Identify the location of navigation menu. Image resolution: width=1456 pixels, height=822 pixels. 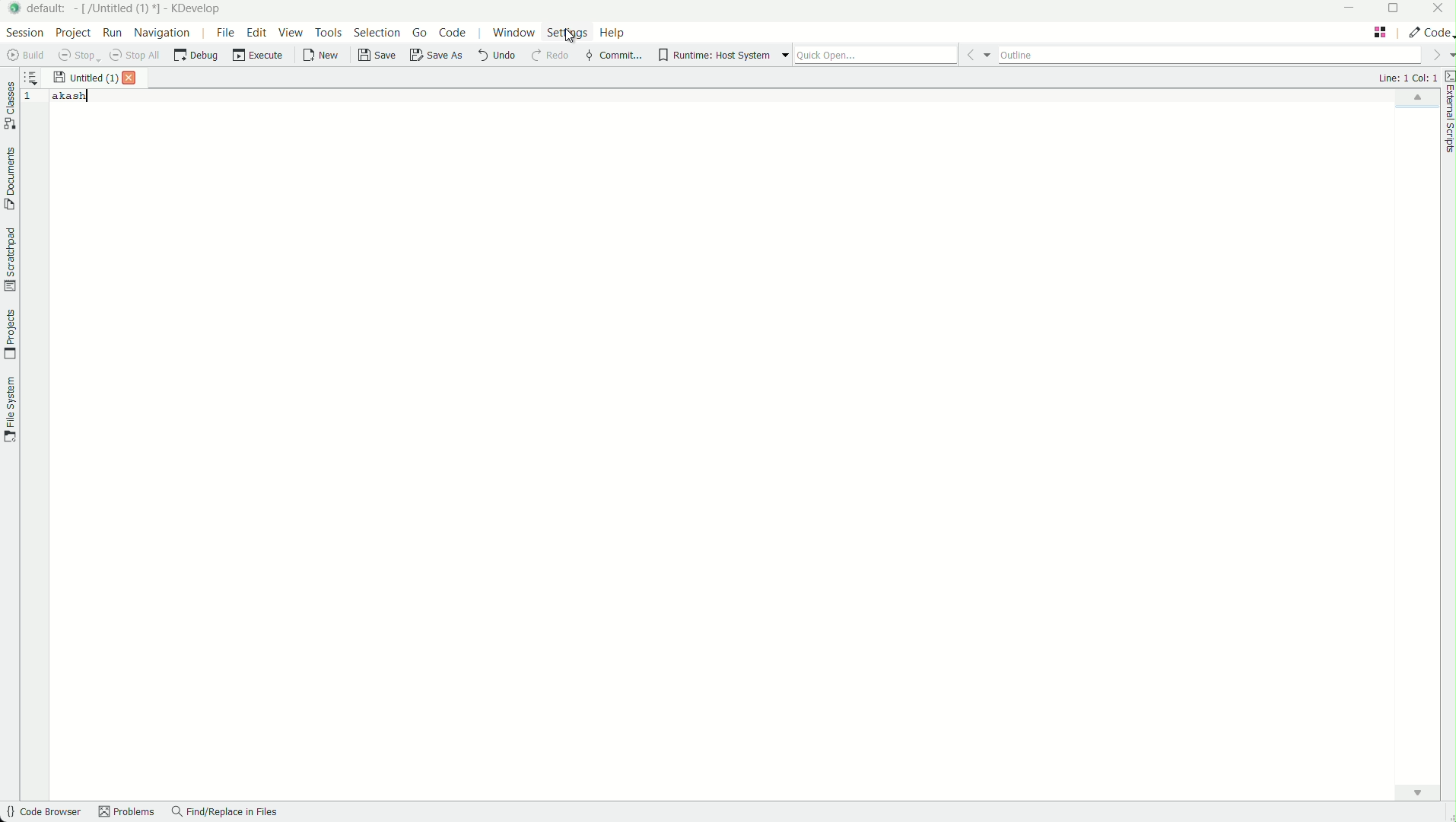
(163, 32).